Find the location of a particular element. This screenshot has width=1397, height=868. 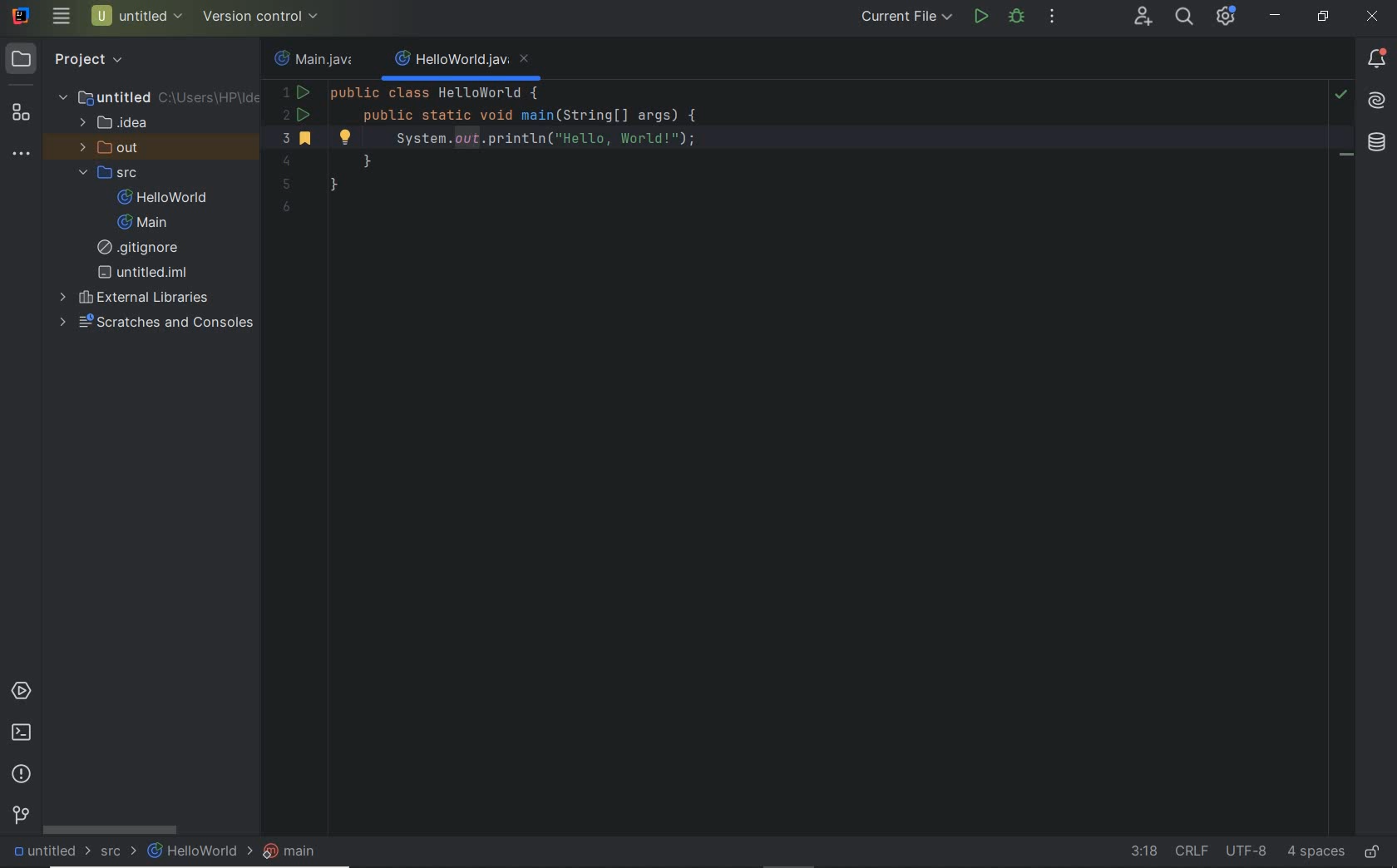

untitled.iml is located at coordinates (142, 272).